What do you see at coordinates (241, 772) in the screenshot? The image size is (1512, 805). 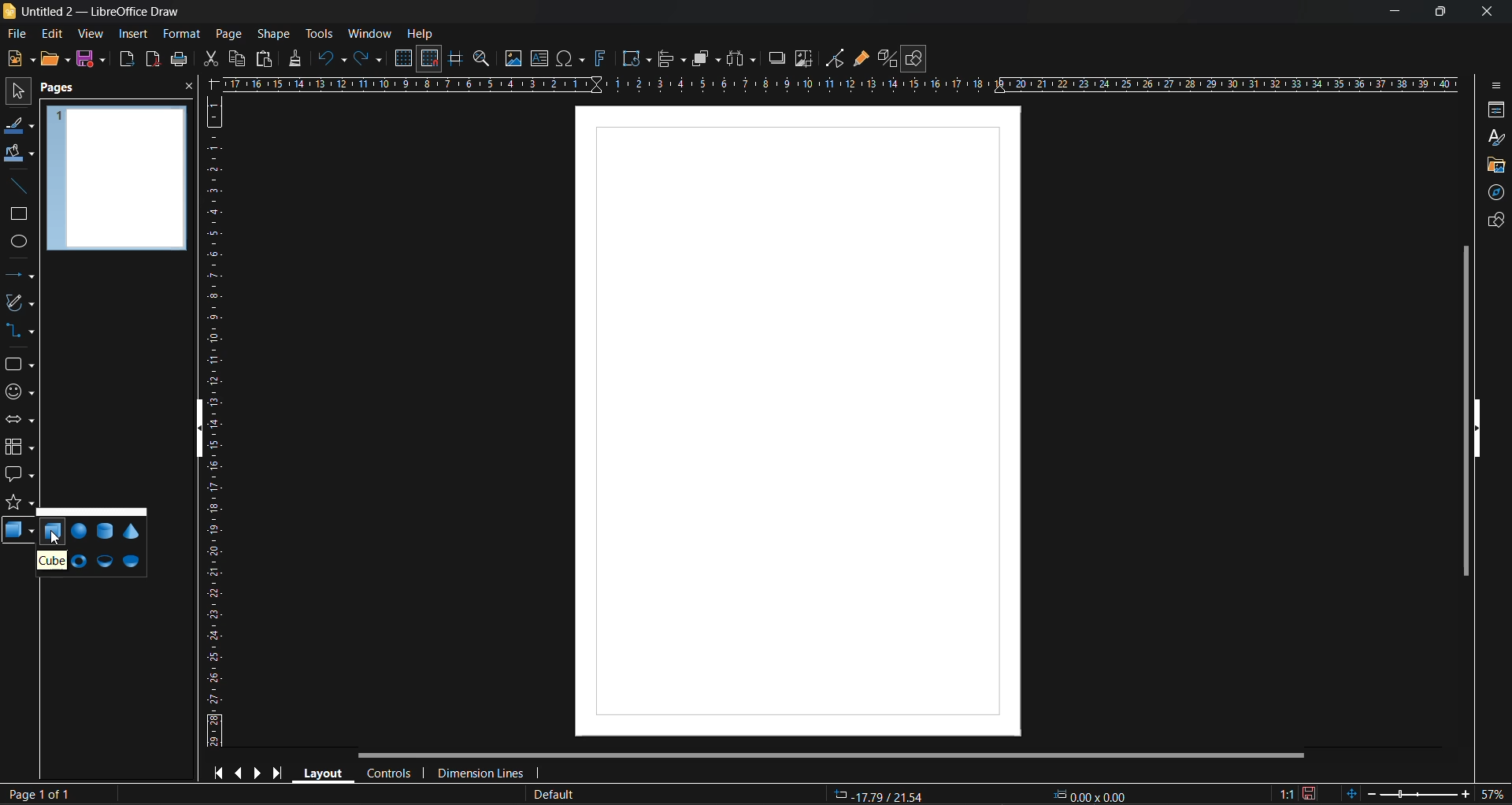 I see `previous` at bounding box center [241, 772].